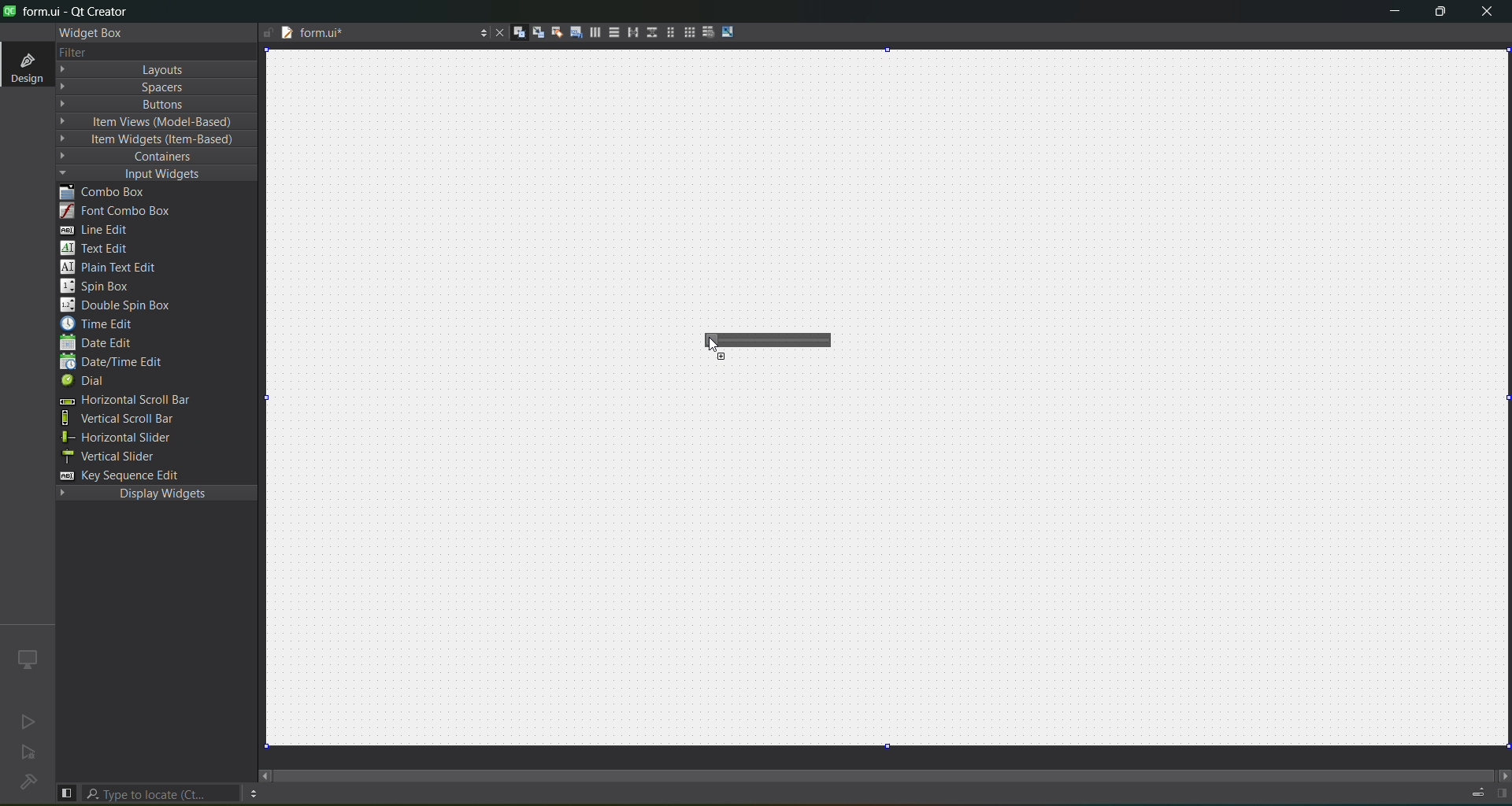 The image size is (1512, 806). What do you see at coordinates (1477, 792) in the screenshot?
I see `progress details` at bounding box center [1477, 792].